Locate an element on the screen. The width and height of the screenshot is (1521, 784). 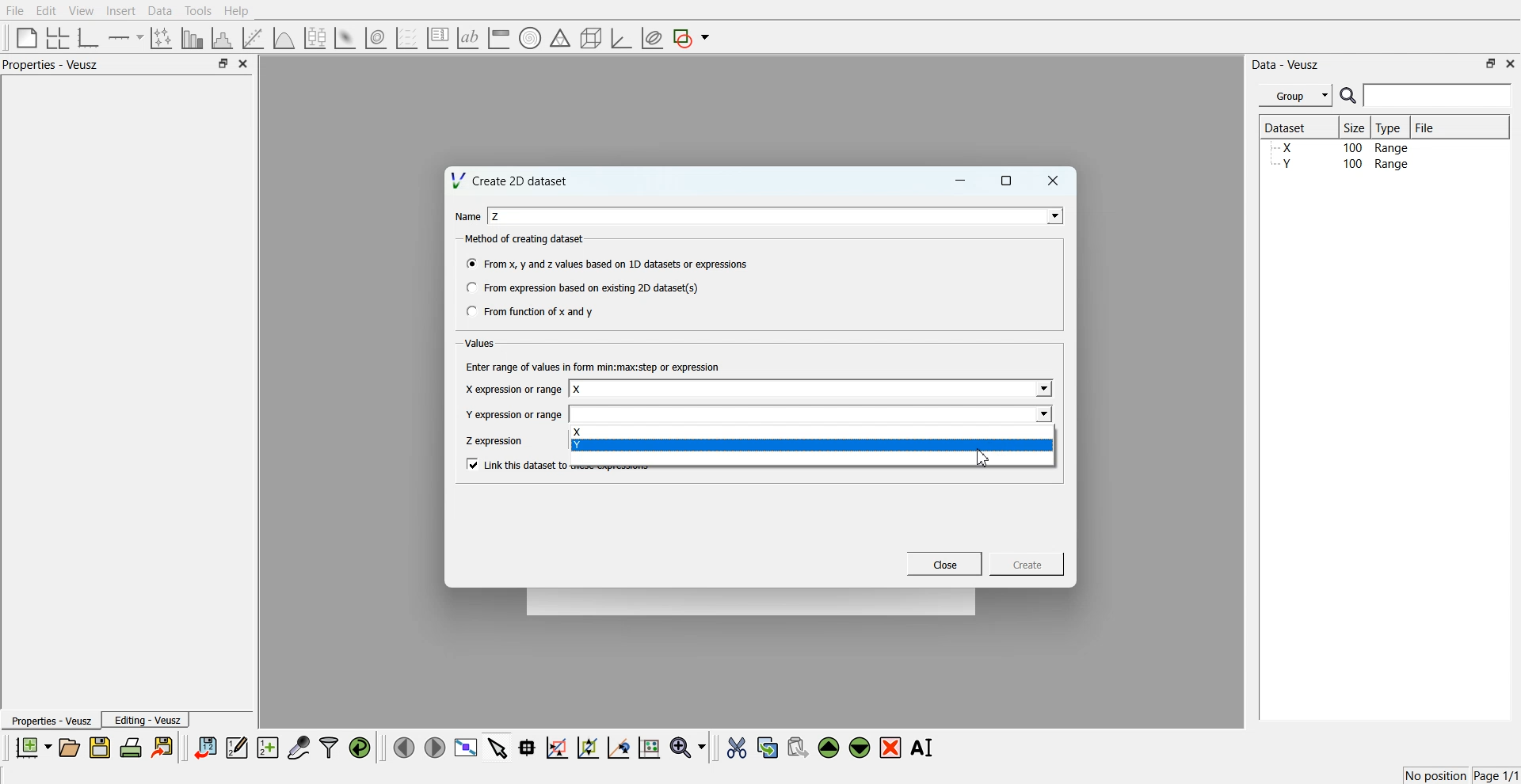
Move to the previous page is located at coordinates (404, 747).